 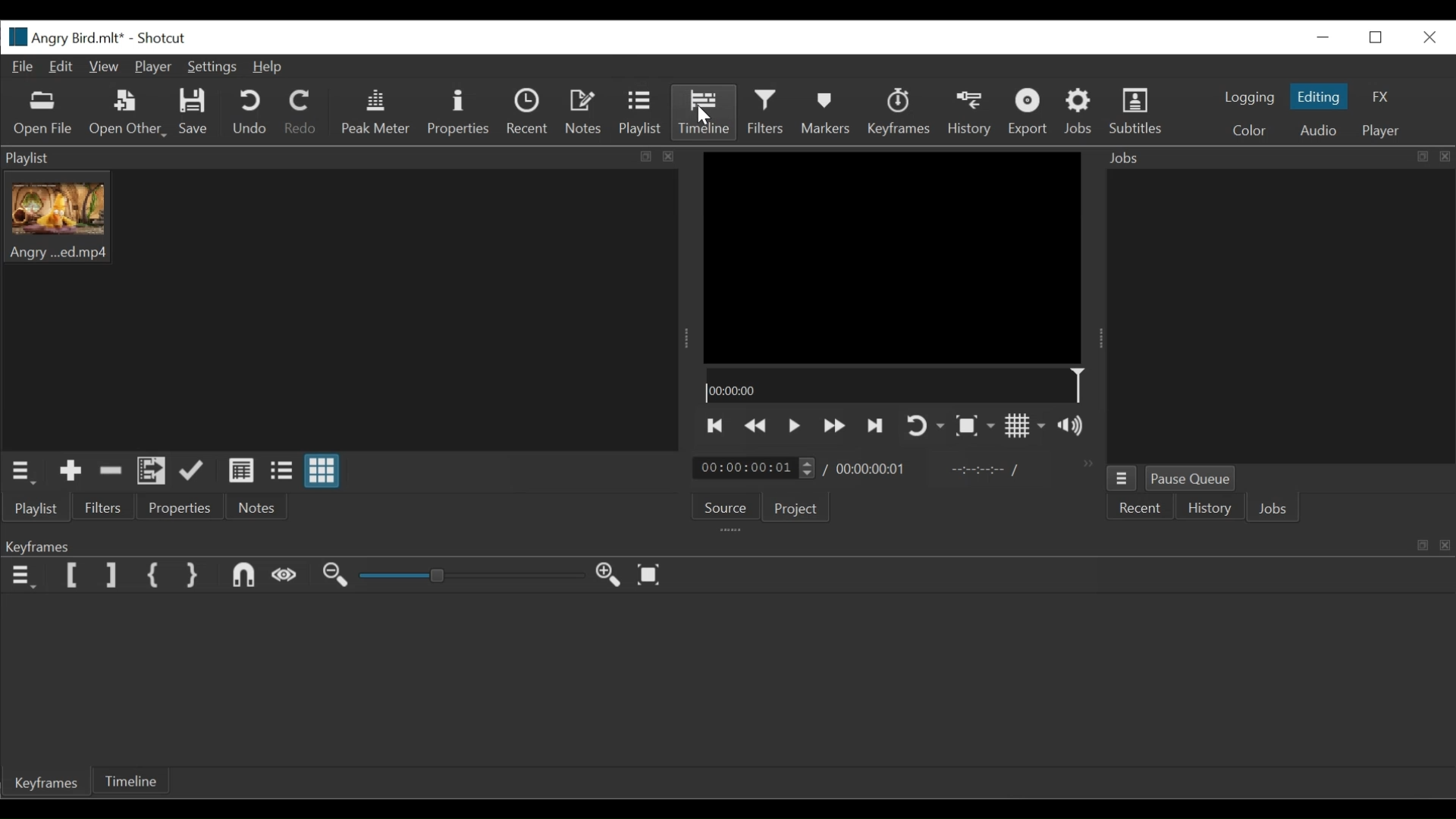 What do you see at coordinates (457, 113) in the screenshot?
I see `Properties` at bounding box center [457, 113].